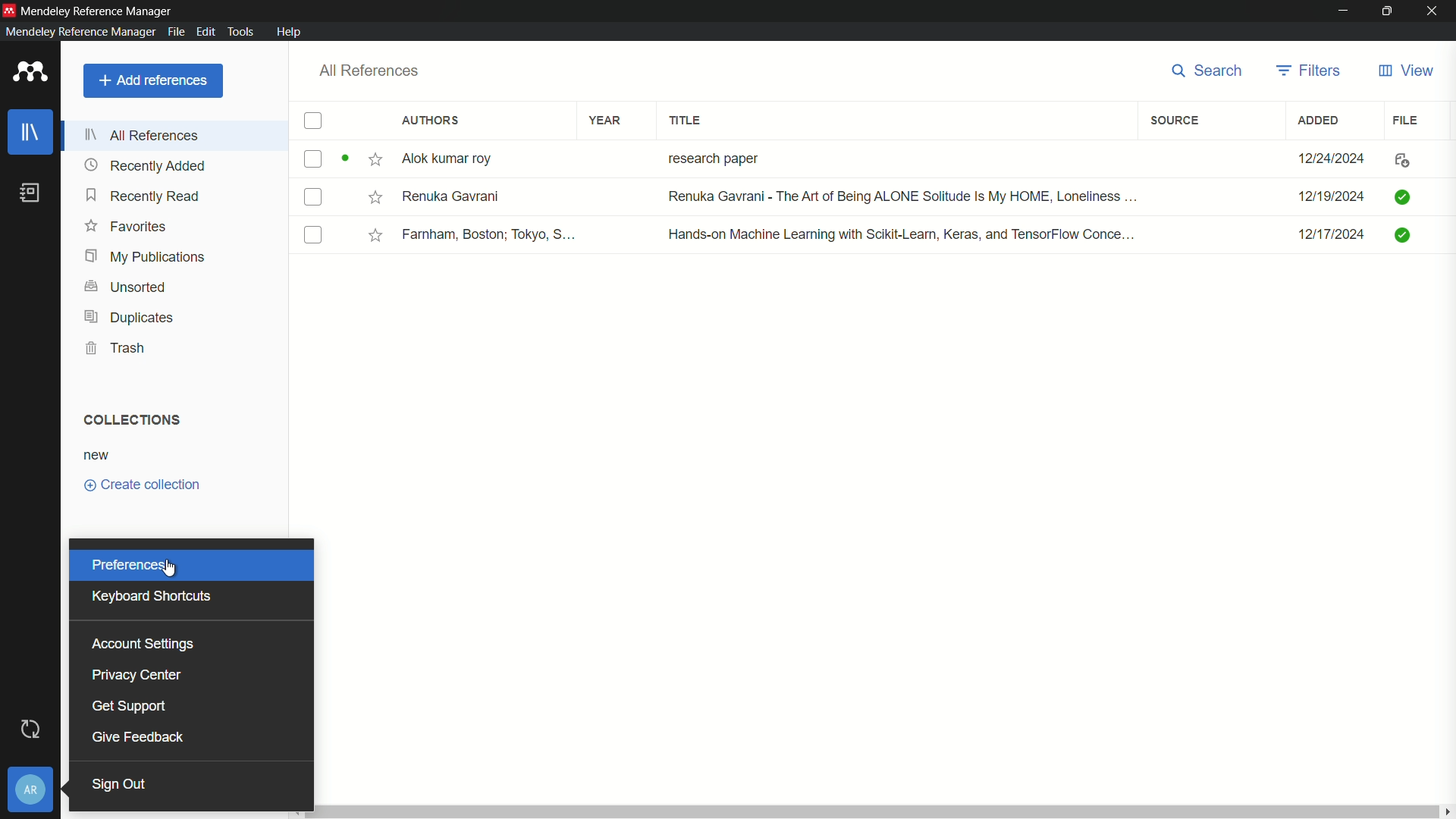 This screenshot has width=1456, height=819. What do you see at coordinates (127, 286) in the screenshot?
I see `unsorted` at bounding box center [127, 286].